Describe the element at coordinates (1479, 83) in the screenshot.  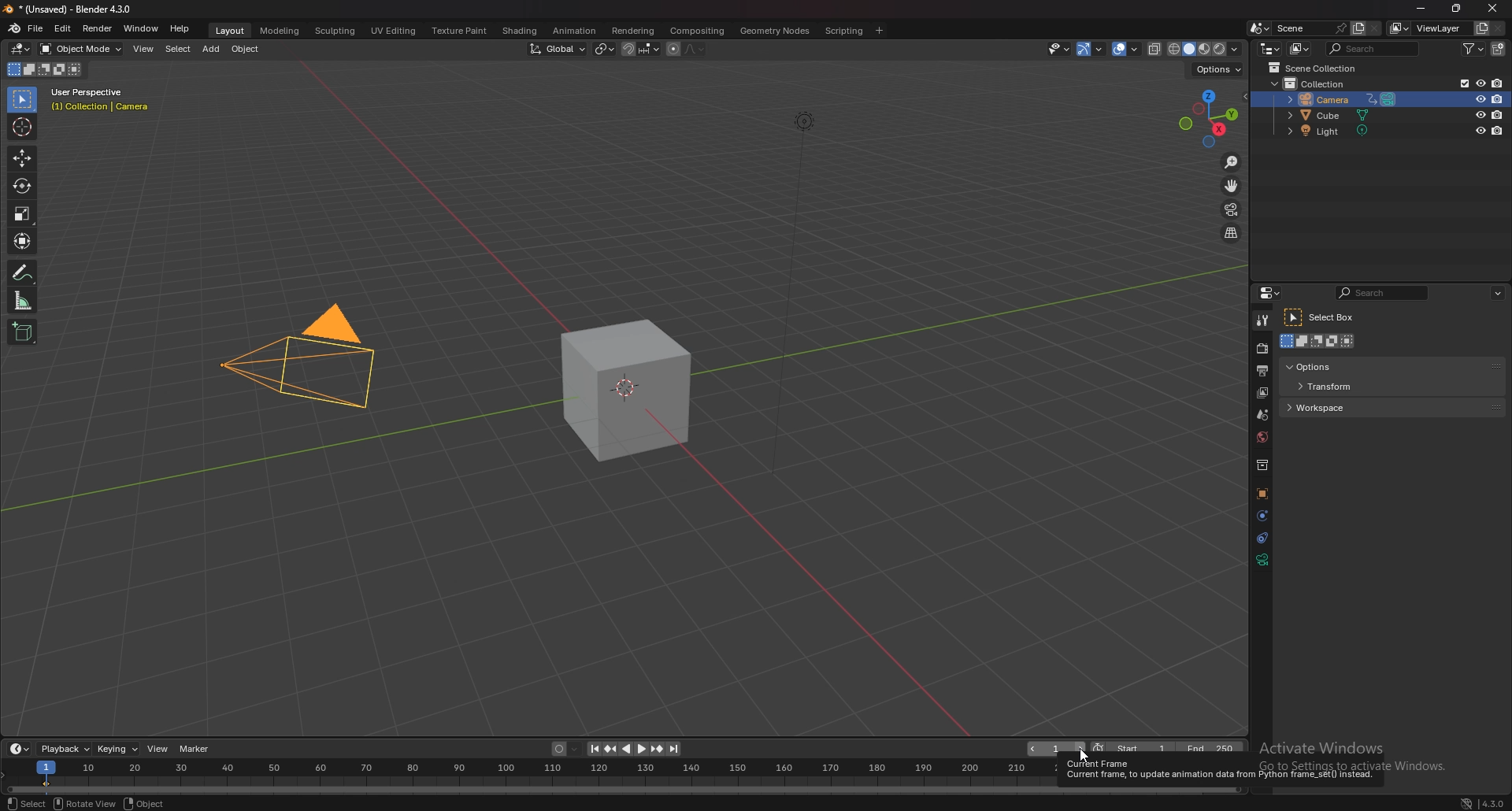
I see `hide in viewport` at that location.